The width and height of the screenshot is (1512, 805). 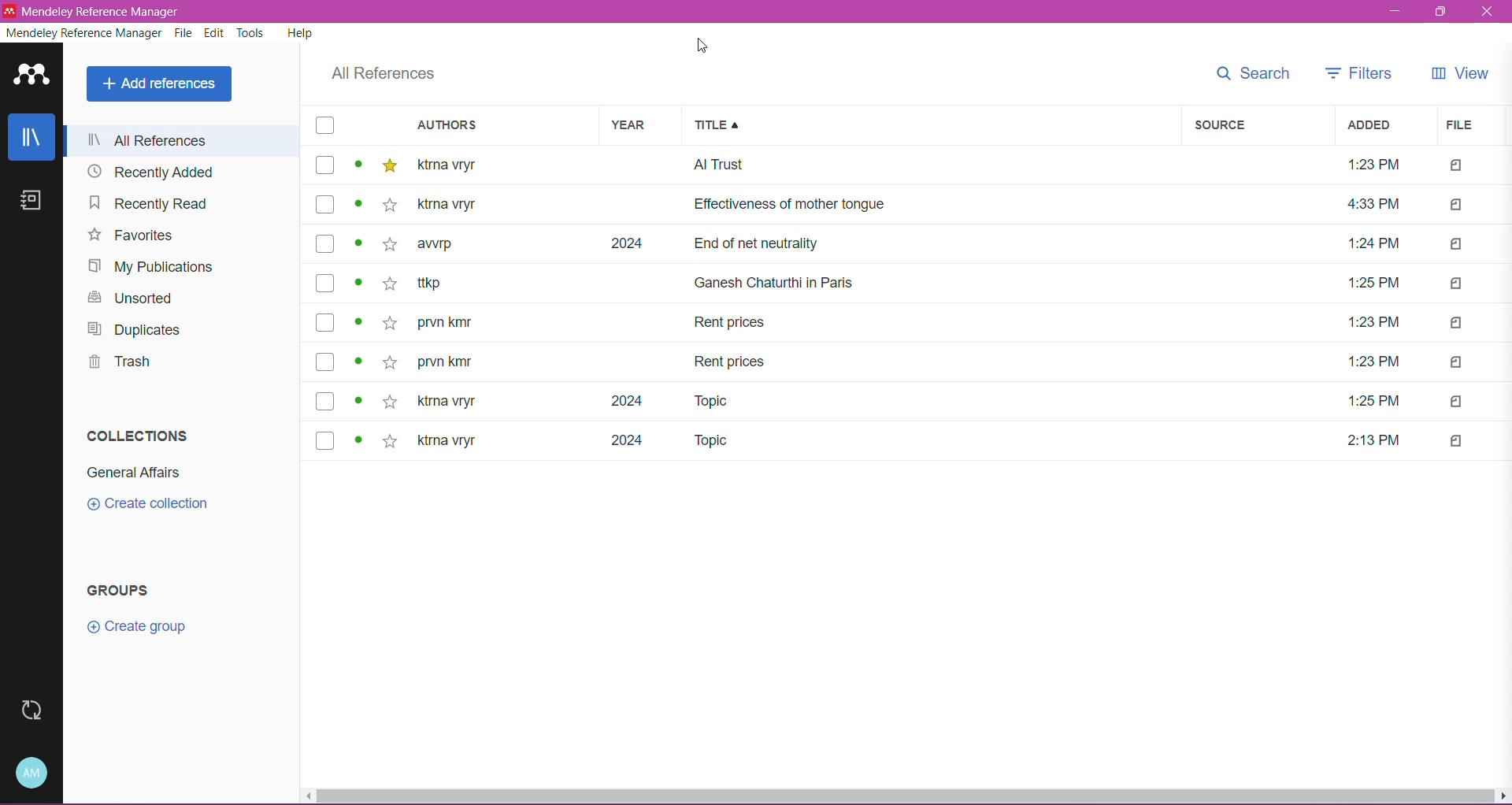 I want to click on Favorites, so click(x=129, y=236).